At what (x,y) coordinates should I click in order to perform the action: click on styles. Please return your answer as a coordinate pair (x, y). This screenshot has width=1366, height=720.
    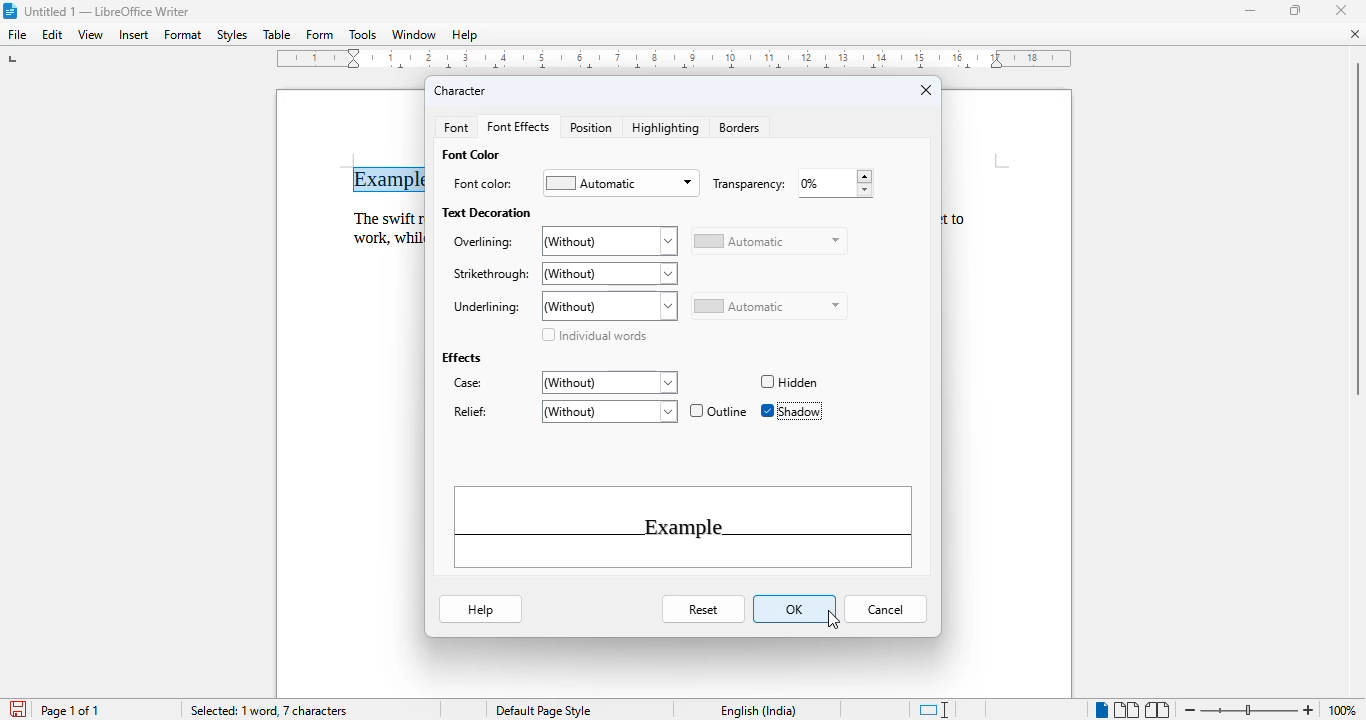
    Looking at the image, I should click on (233, 35).